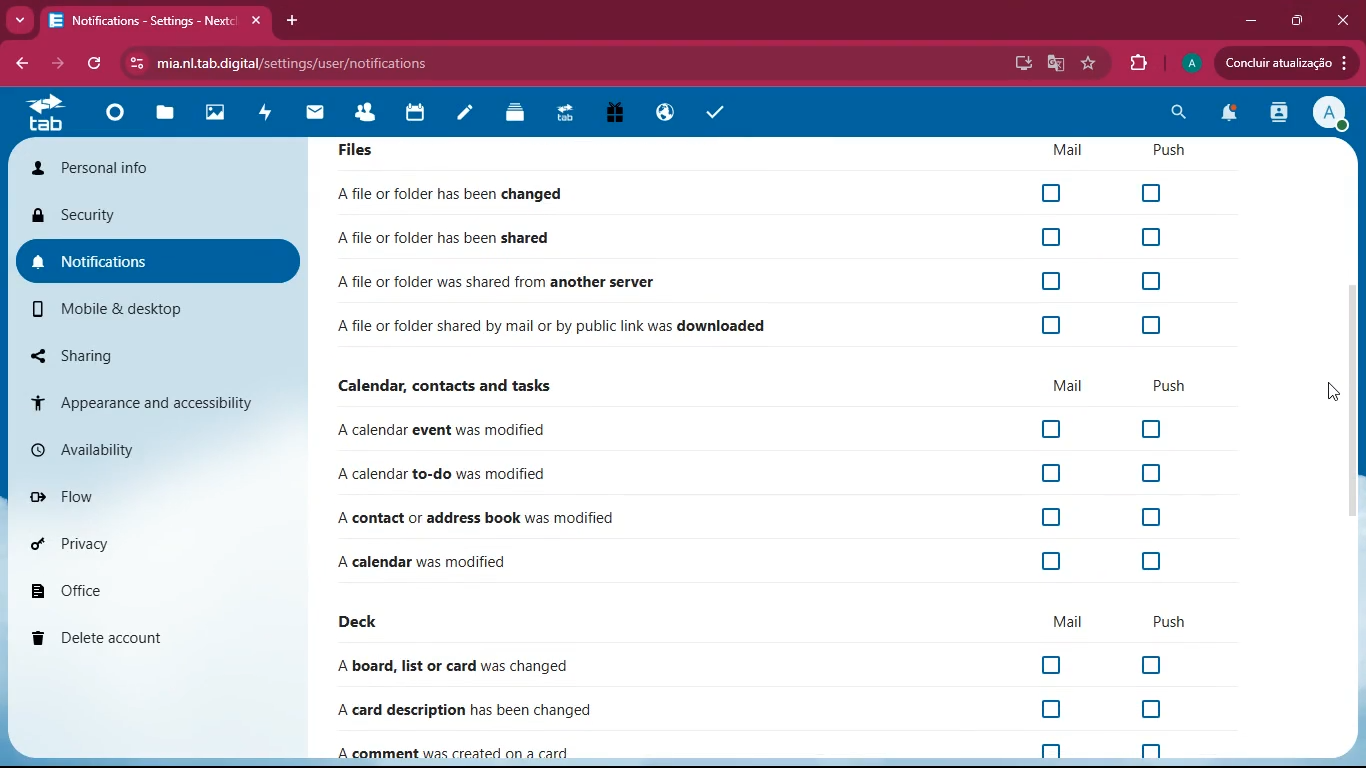 This screenshot has height=768, width=1366. Describe the element at coordinates (569, 116) in the screenshot. I see `tab` at that location.